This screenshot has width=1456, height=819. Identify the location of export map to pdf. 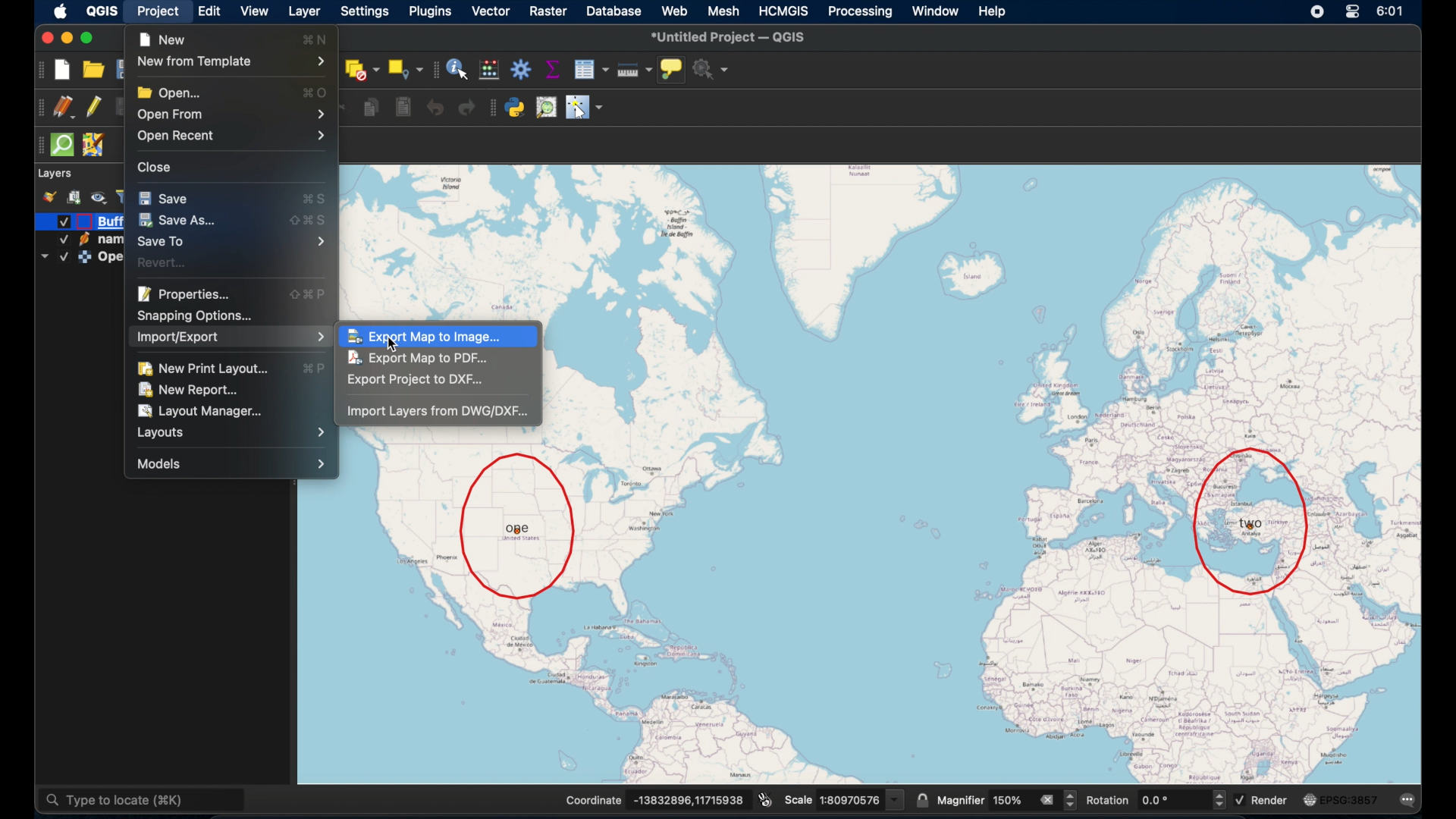
(418, 359).